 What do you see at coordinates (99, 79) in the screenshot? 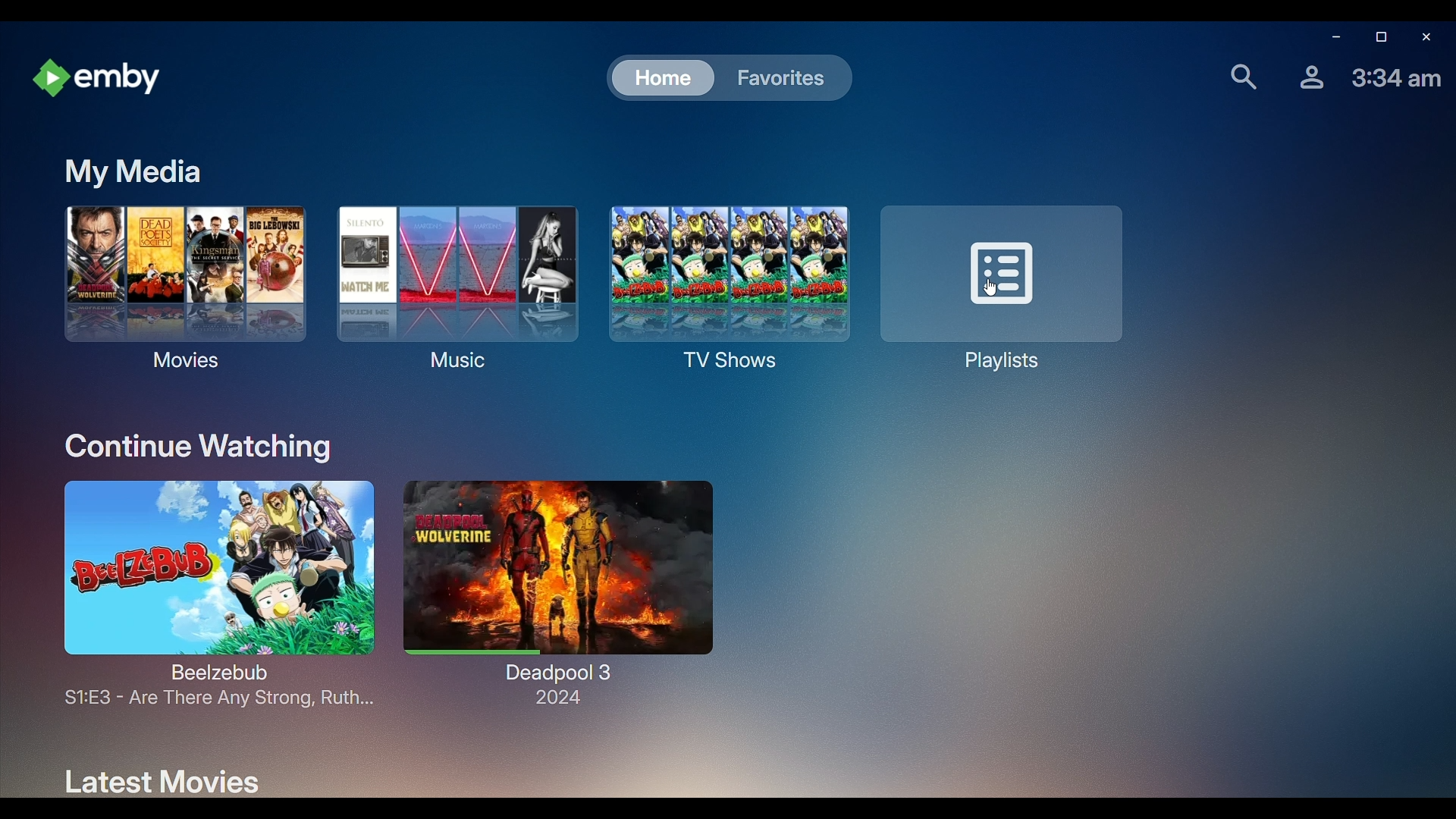
I see `emby` at bounding box center [99, 79].